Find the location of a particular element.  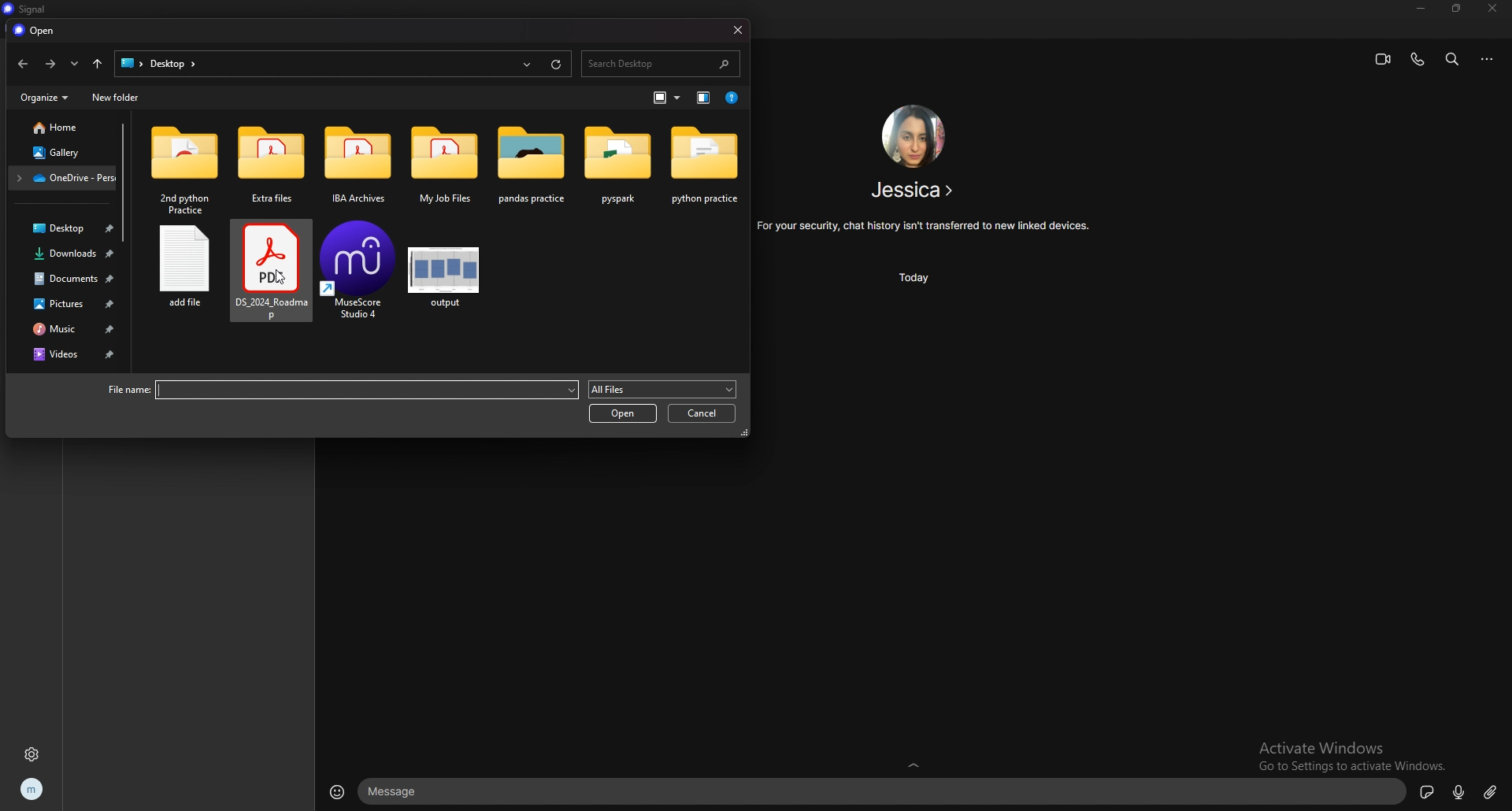

settings is located at coordinates (33, 754).